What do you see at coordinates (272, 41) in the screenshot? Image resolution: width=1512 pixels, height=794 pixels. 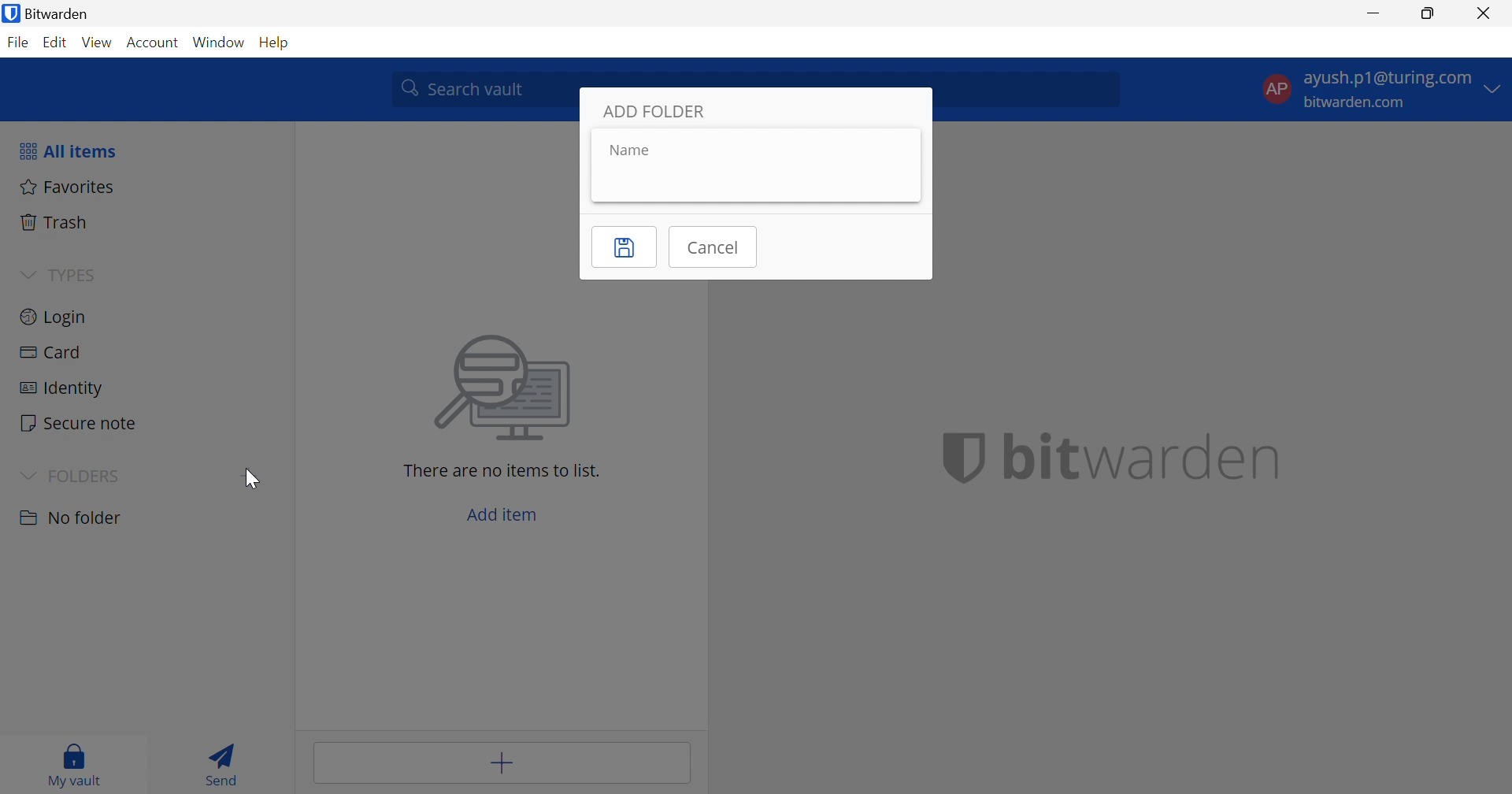 I see `Help` at bounding box center [272, 41].